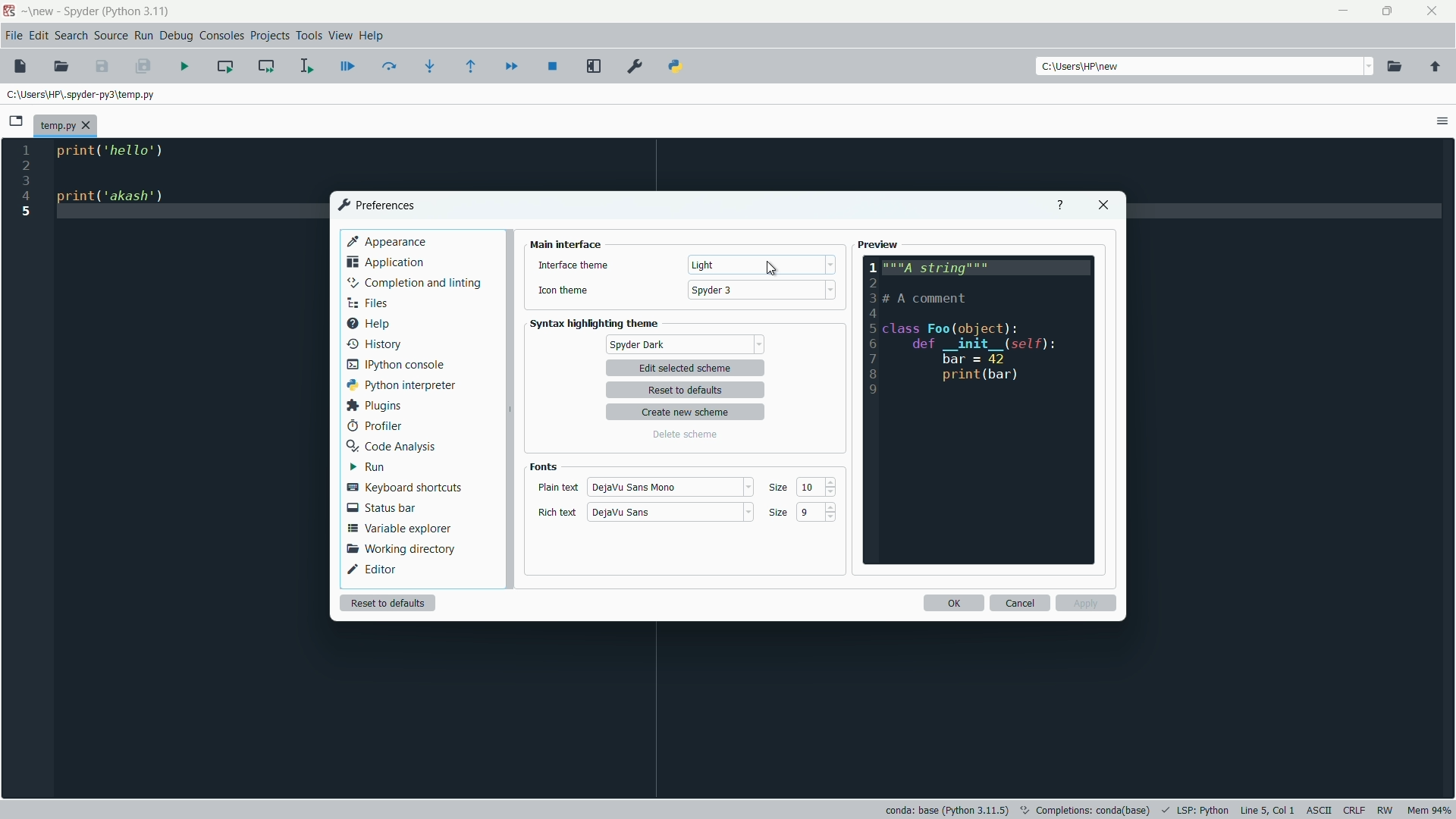  What do you see at coordinates (119, 177) in the screenshot?
I see `code` at bounding box center [119, 177].